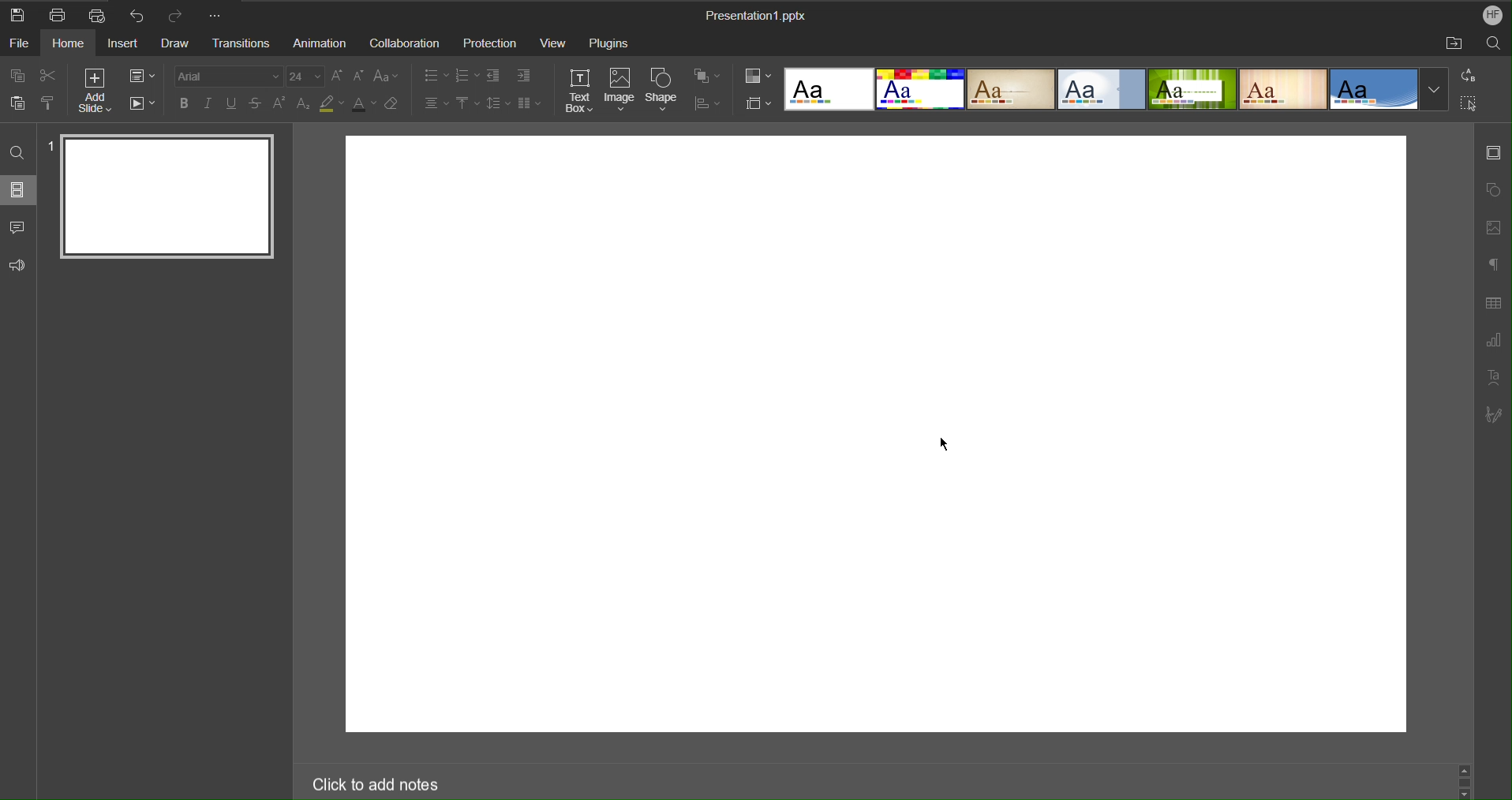 Image resolution: width=1512 pixels, height=800 pixels. I want to click on Align, so click(436, 104).